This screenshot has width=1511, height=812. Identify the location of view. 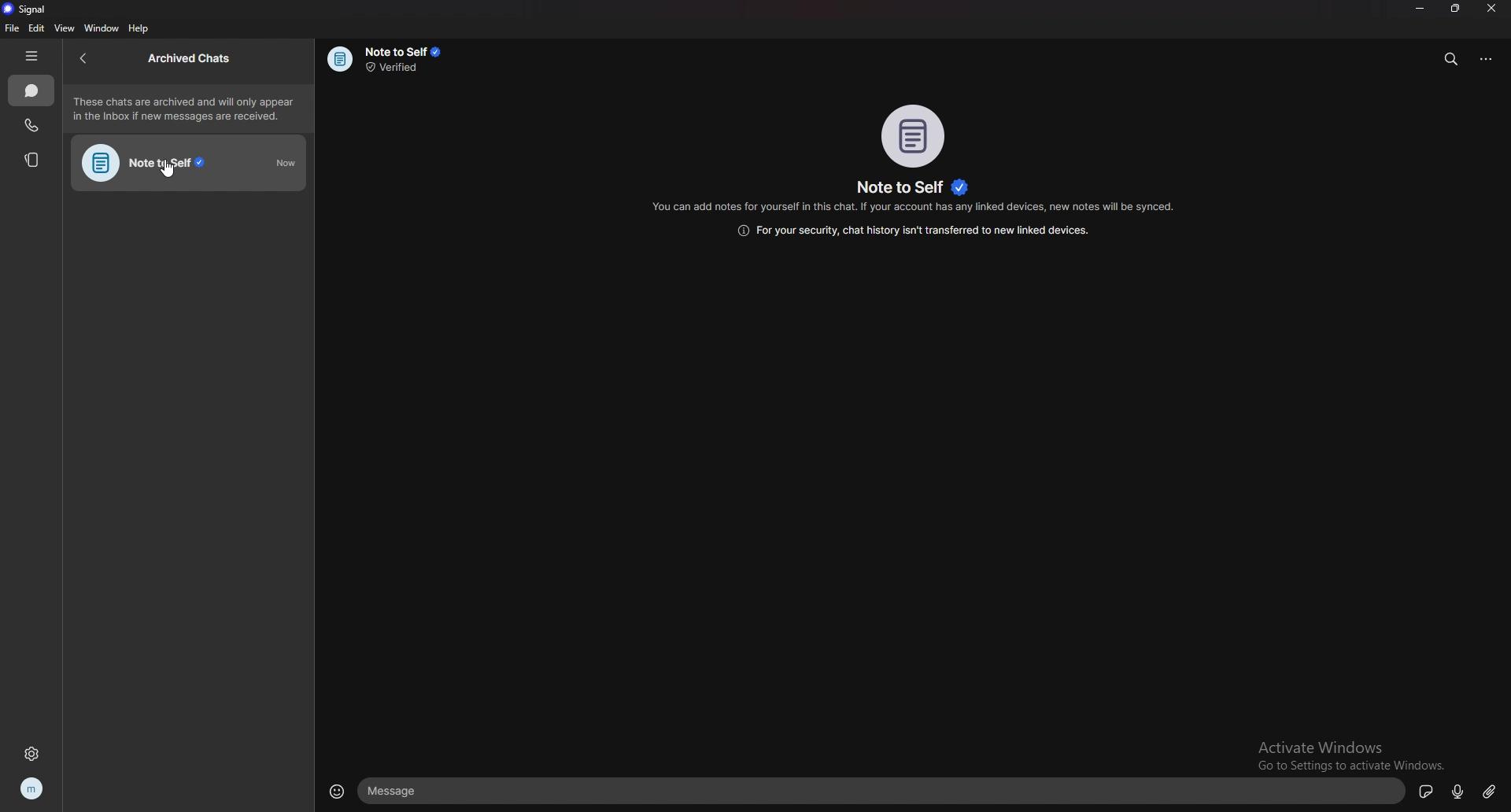
(65, 29).